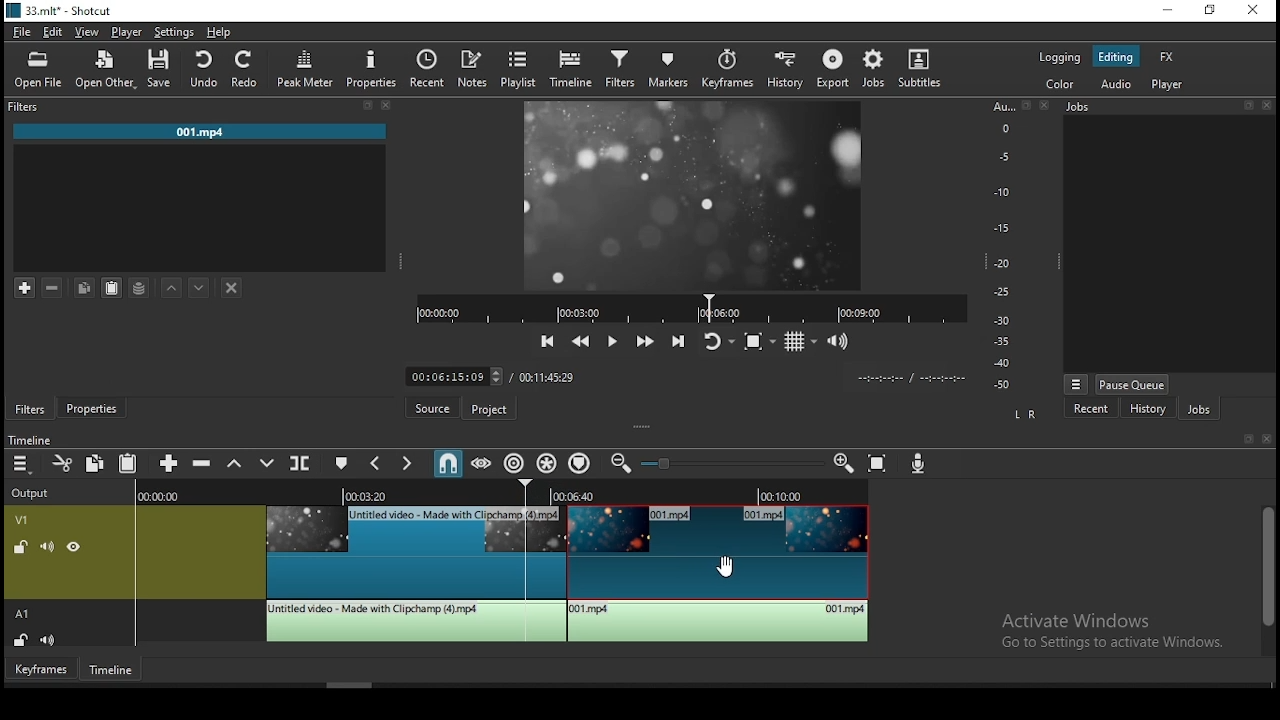 Image resolution: width=1280 pixels, height=720 pixels. What do you see at coordinates (619, 467) in the screenshot?
I see `zoom timeline out` at bounding box center [619, 467].